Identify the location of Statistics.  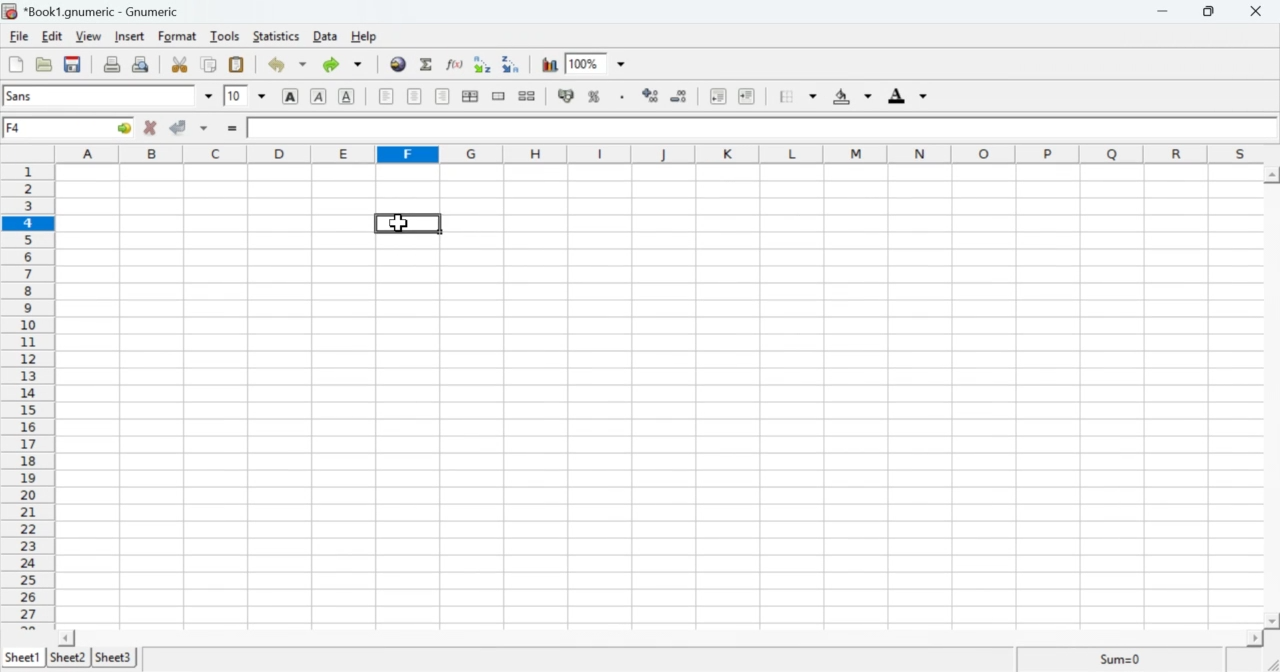
(275, 36).